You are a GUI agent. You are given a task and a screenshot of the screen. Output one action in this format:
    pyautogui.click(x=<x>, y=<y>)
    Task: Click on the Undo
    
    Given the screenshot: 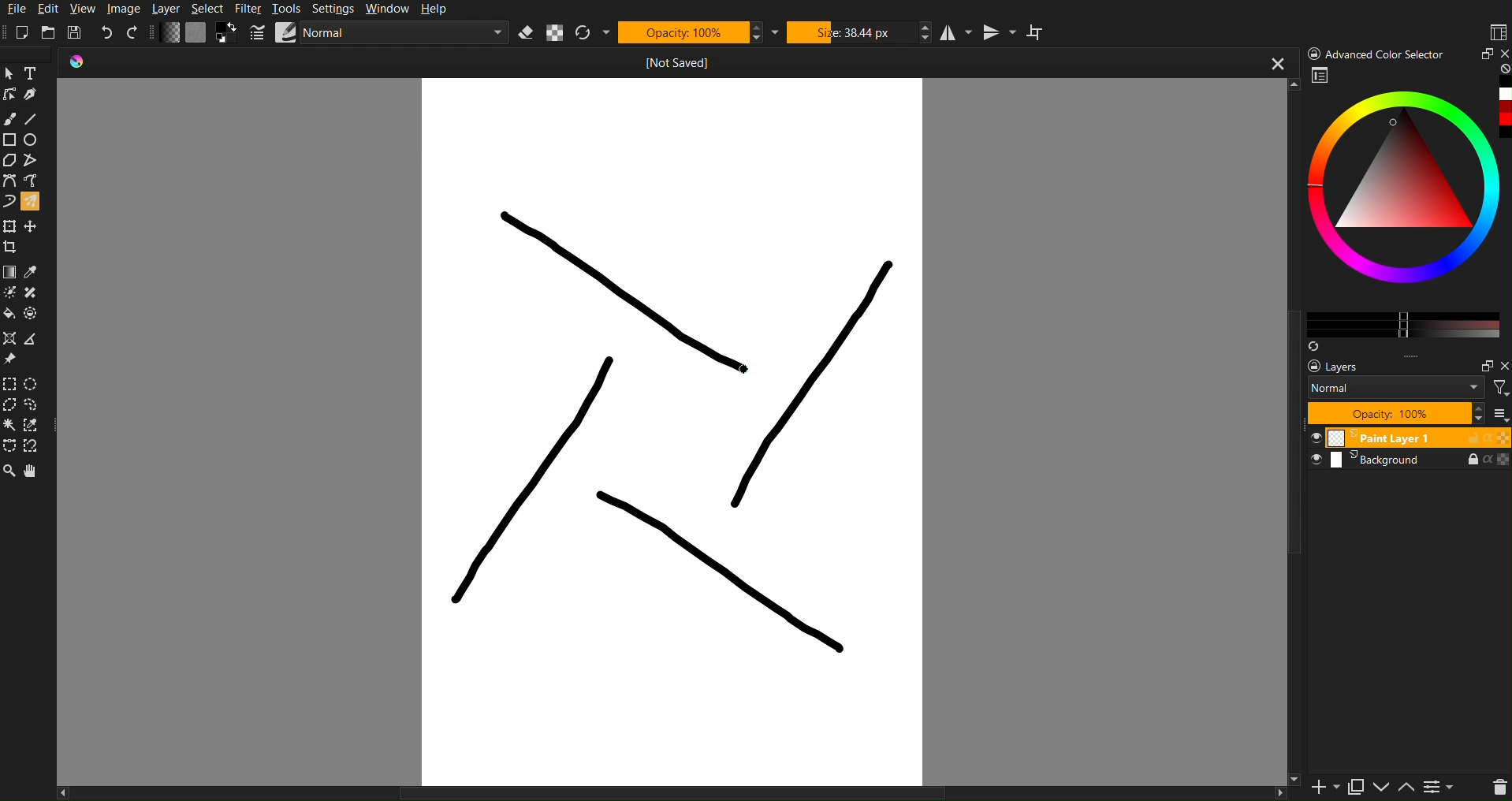 What is the action you would take?
    pyautogui.click(x=107, y=32)
    